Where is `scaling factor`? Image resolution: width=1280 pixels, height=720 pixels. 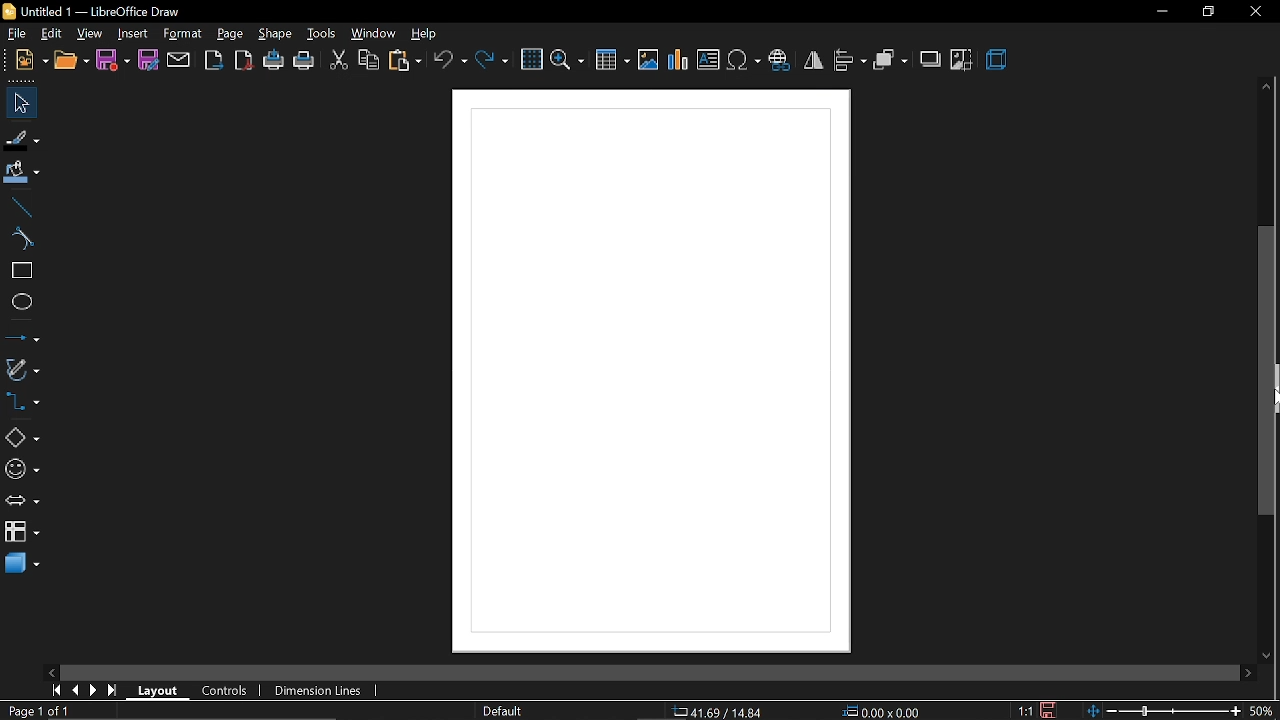 scaling factor is located at coordinates (1023, 711).